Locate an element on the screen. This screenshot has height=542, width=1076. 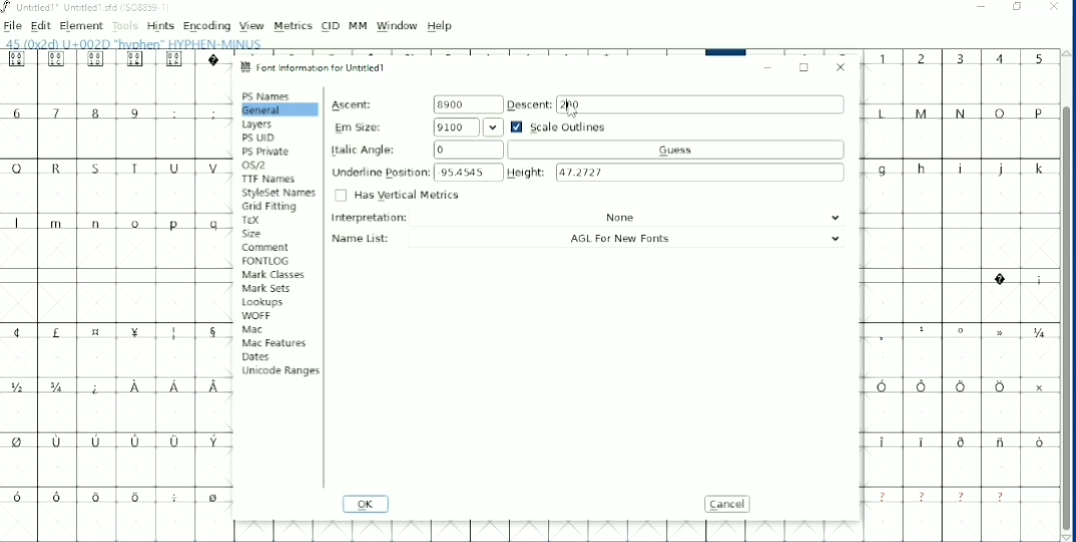
MM is located at coordinates (358, 26).